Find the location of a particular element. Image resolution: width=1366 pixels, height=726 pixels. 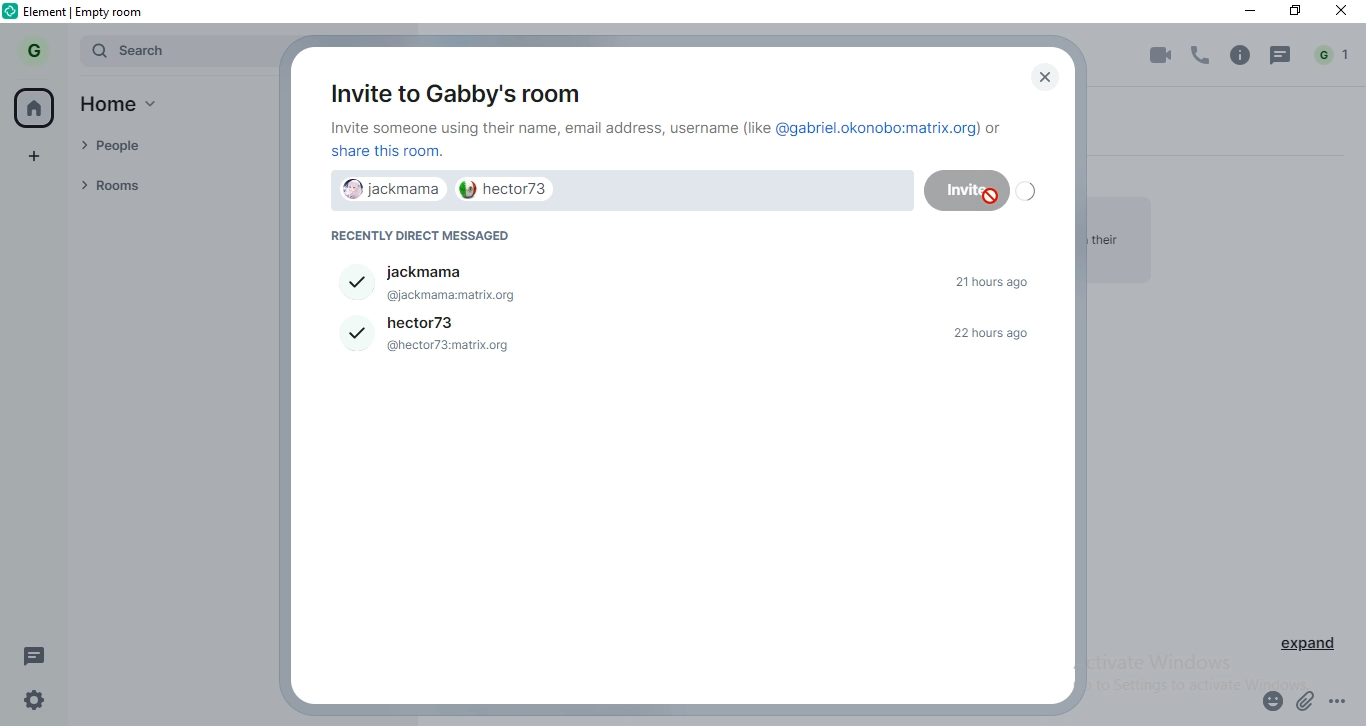

video call is located at coordinates (1157, 57).